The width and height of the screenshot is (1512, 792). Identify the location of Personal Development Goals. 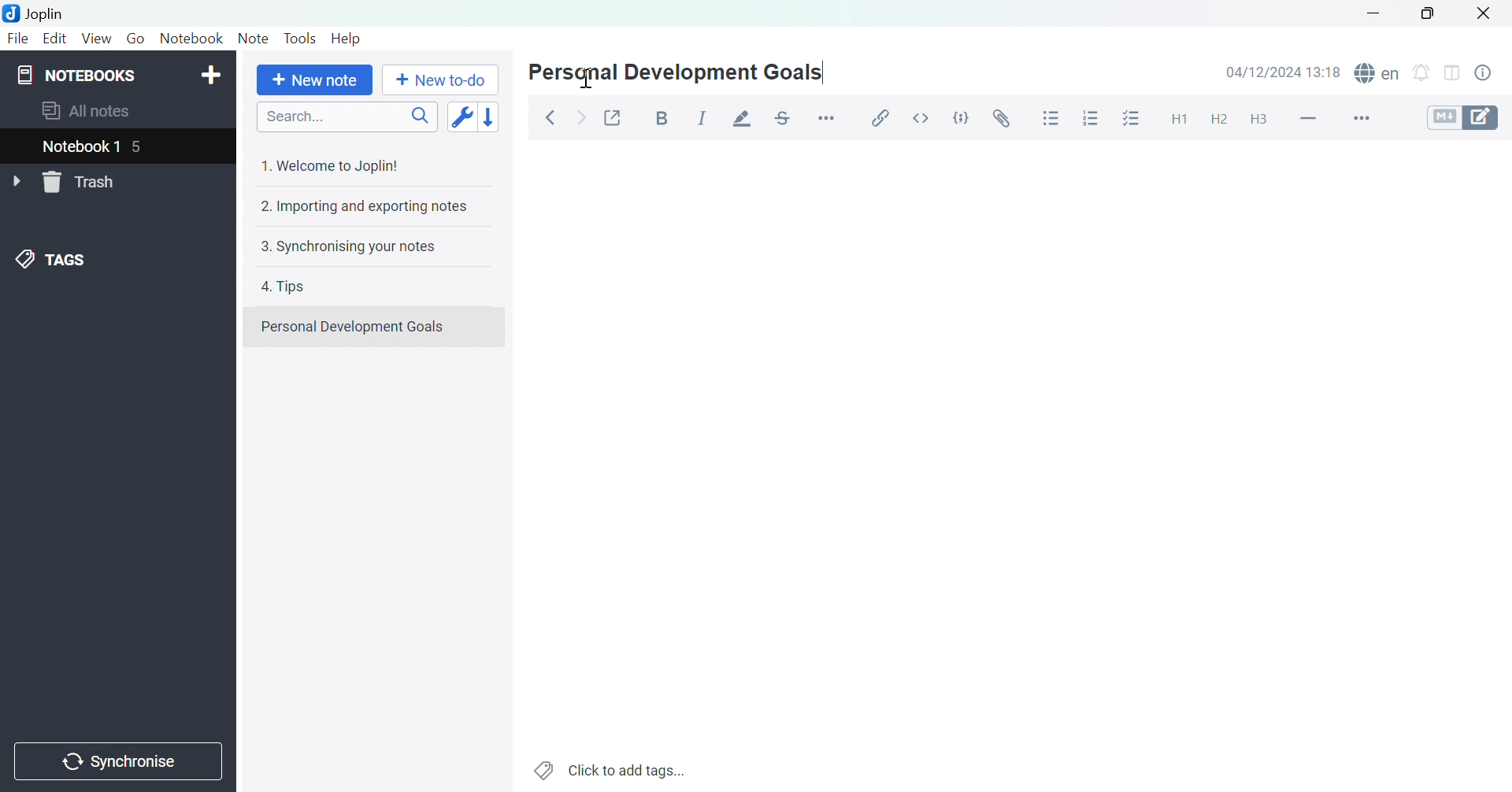
(673, 74).